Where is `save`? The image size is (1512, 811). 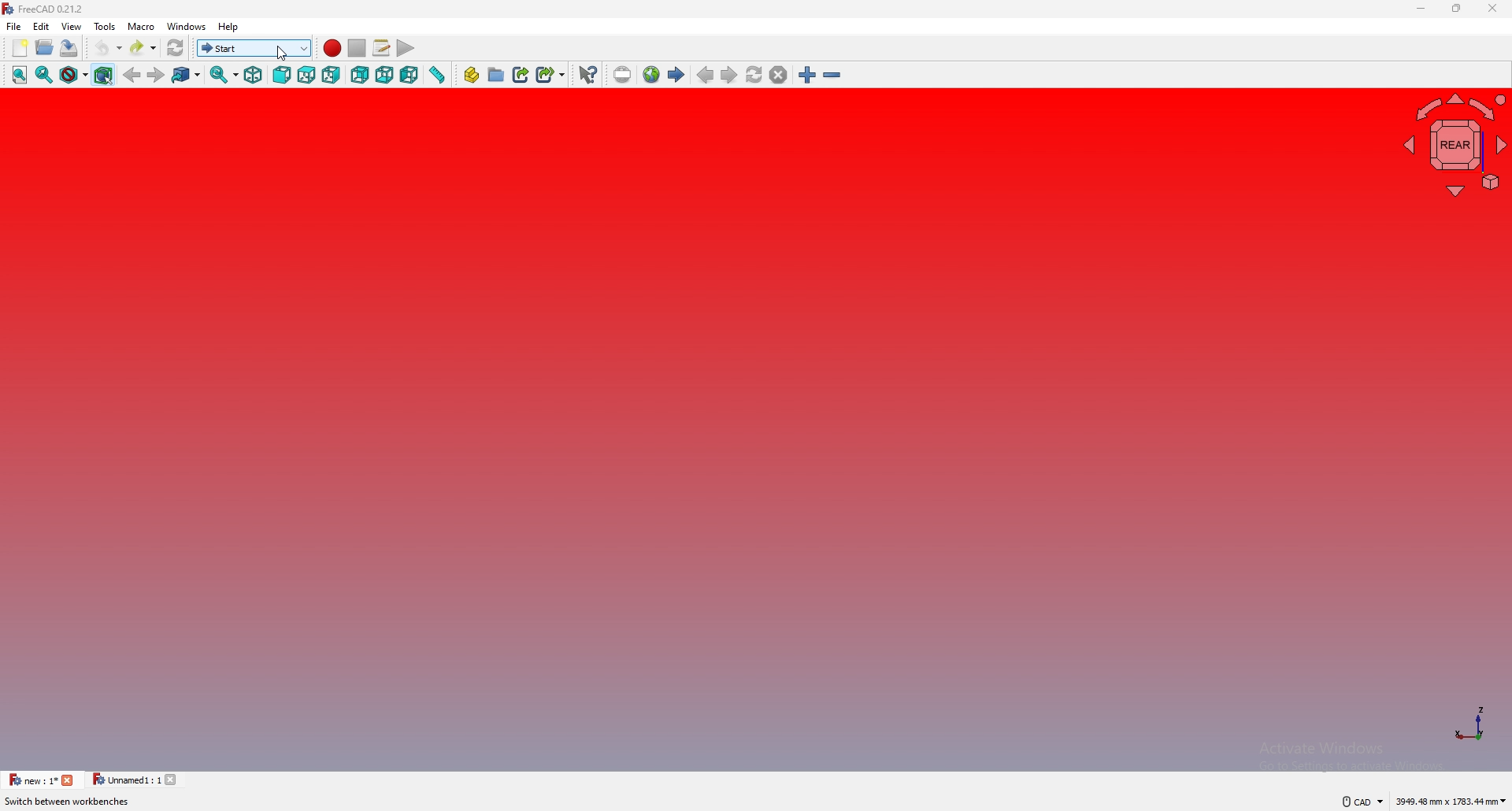
save is located at coordinates (68, 47).